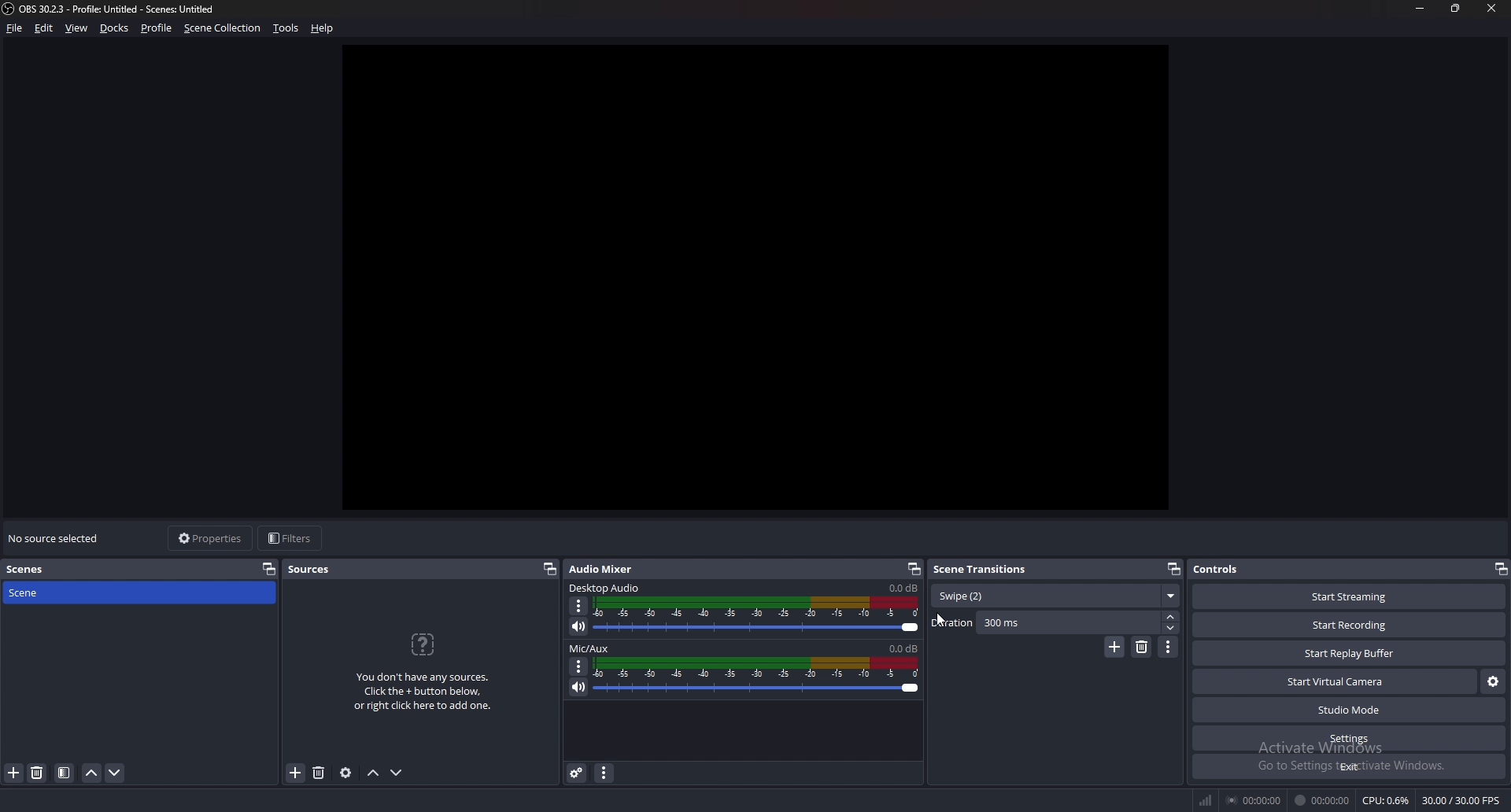 This screenshot has height=812, width=1511. I want to click on advanced audio properties, so click(577, 773).